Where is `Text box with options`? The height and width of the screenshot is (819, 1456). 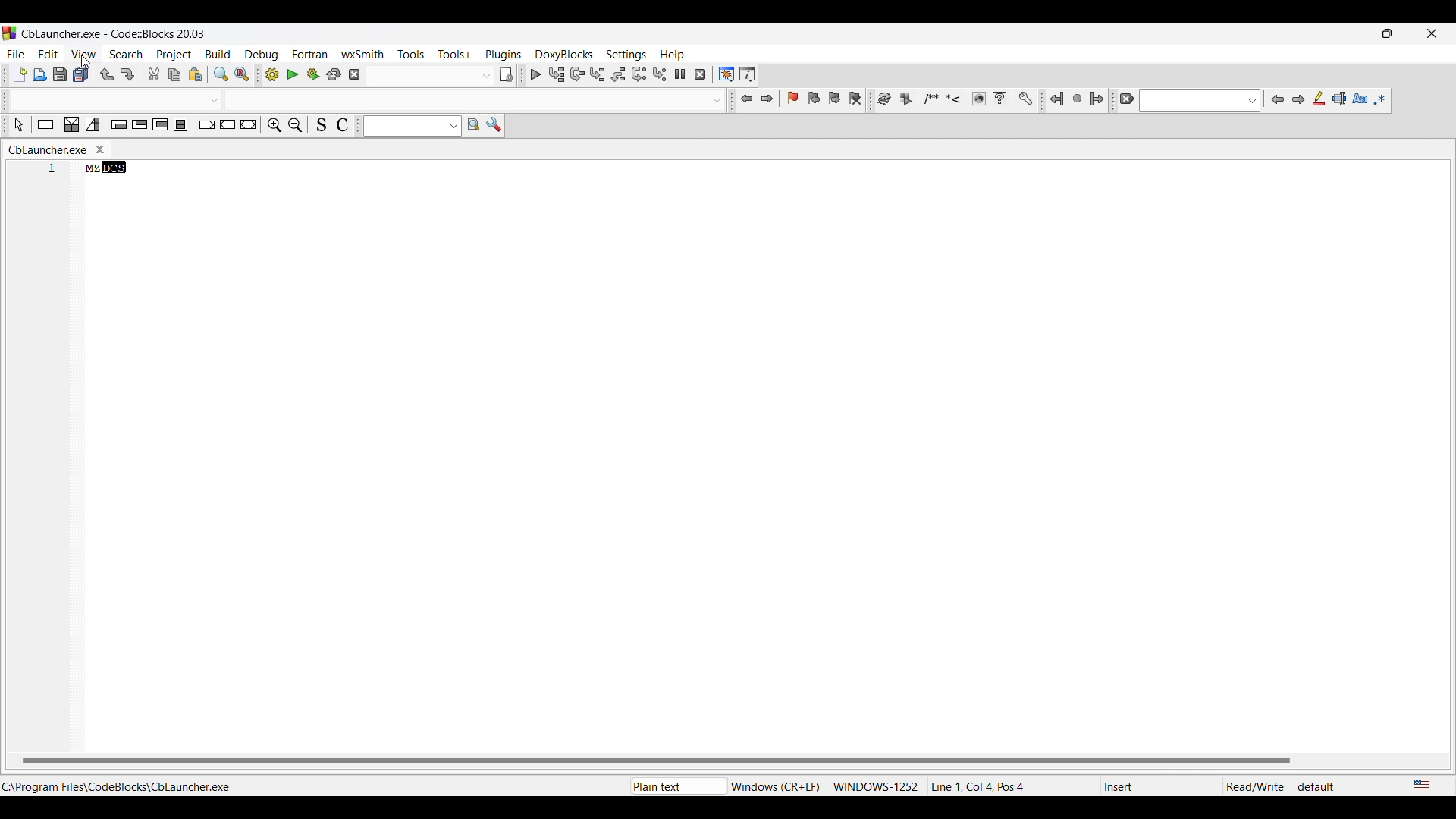 Text box with options is located at coordinates (1199, 101).